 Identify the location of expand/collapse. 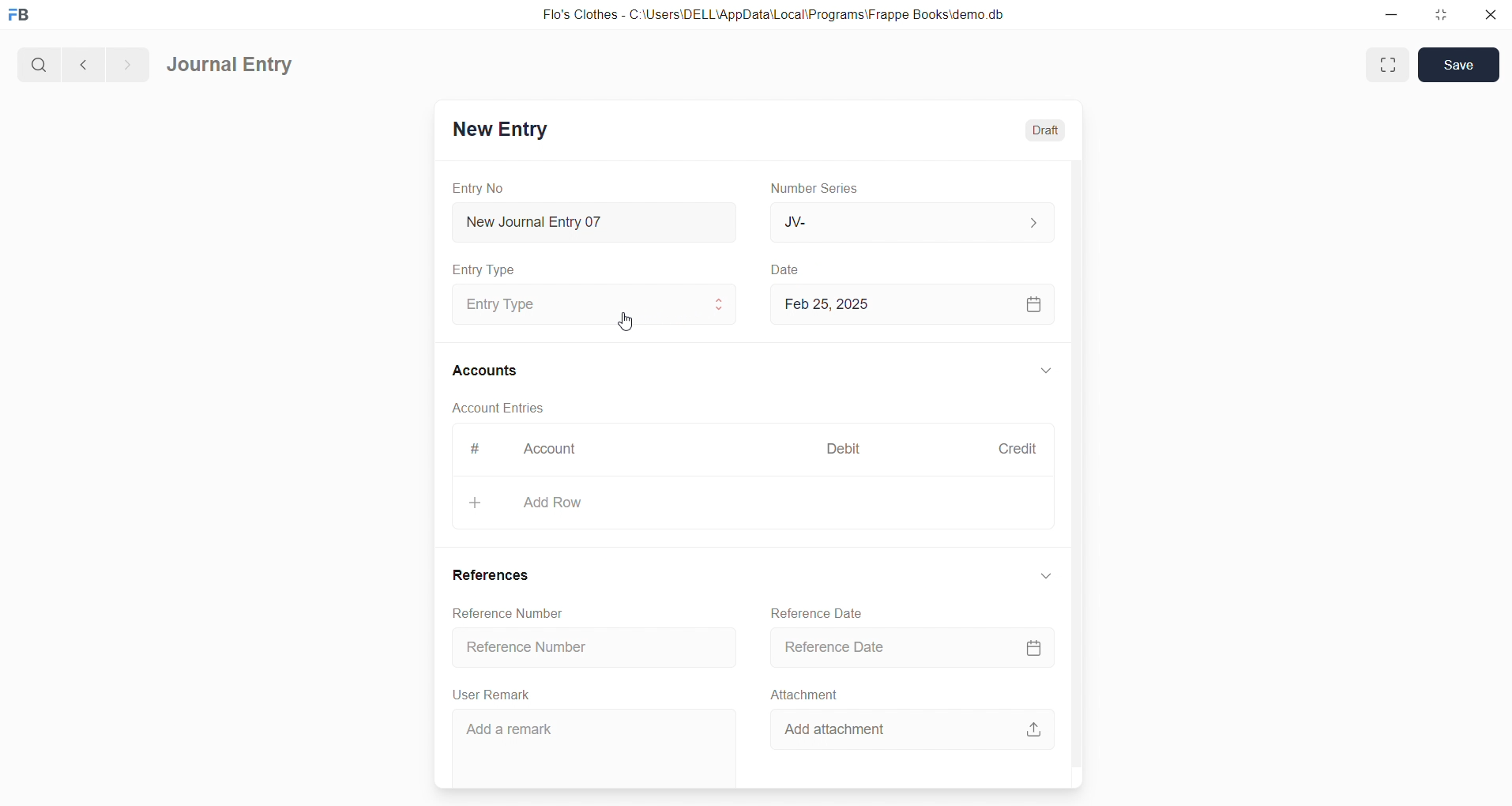
(1044, 576).